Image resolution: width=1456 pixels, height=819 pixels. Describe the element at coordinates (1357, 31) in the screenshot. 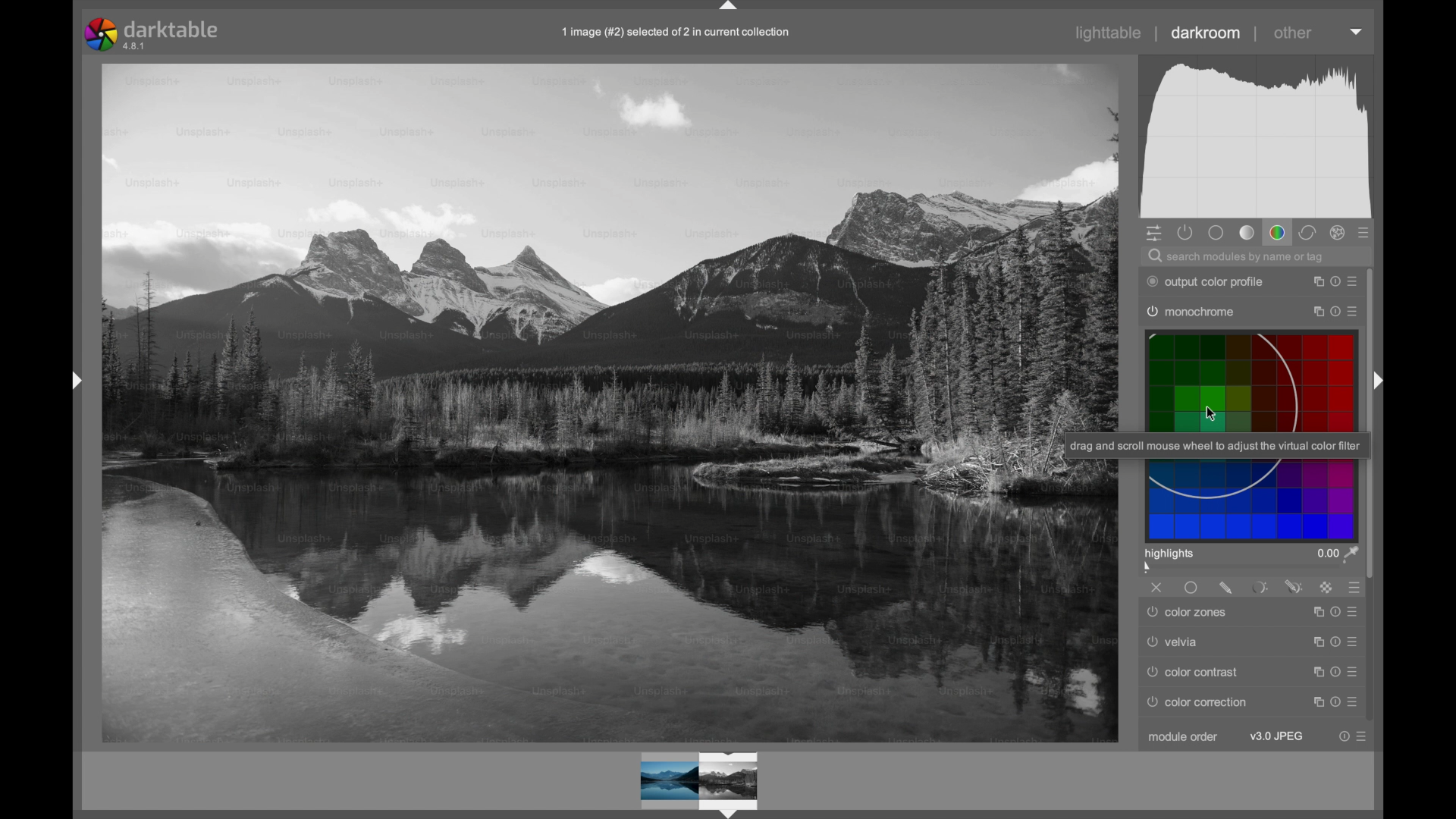

I see `dropdown menu ` at that location.